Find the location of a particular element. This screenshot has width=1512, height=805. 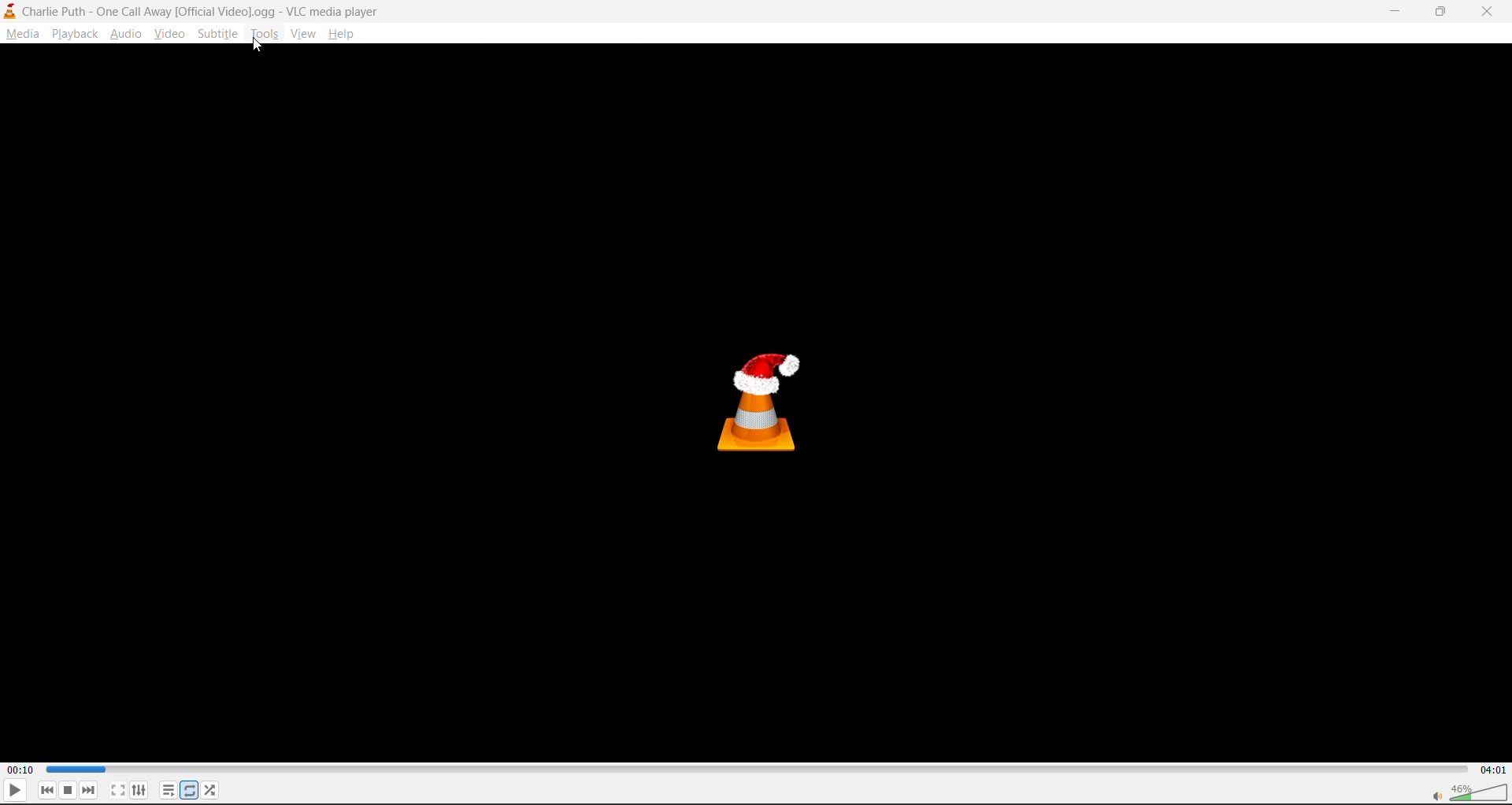

random is located at coordinates (211, 791).